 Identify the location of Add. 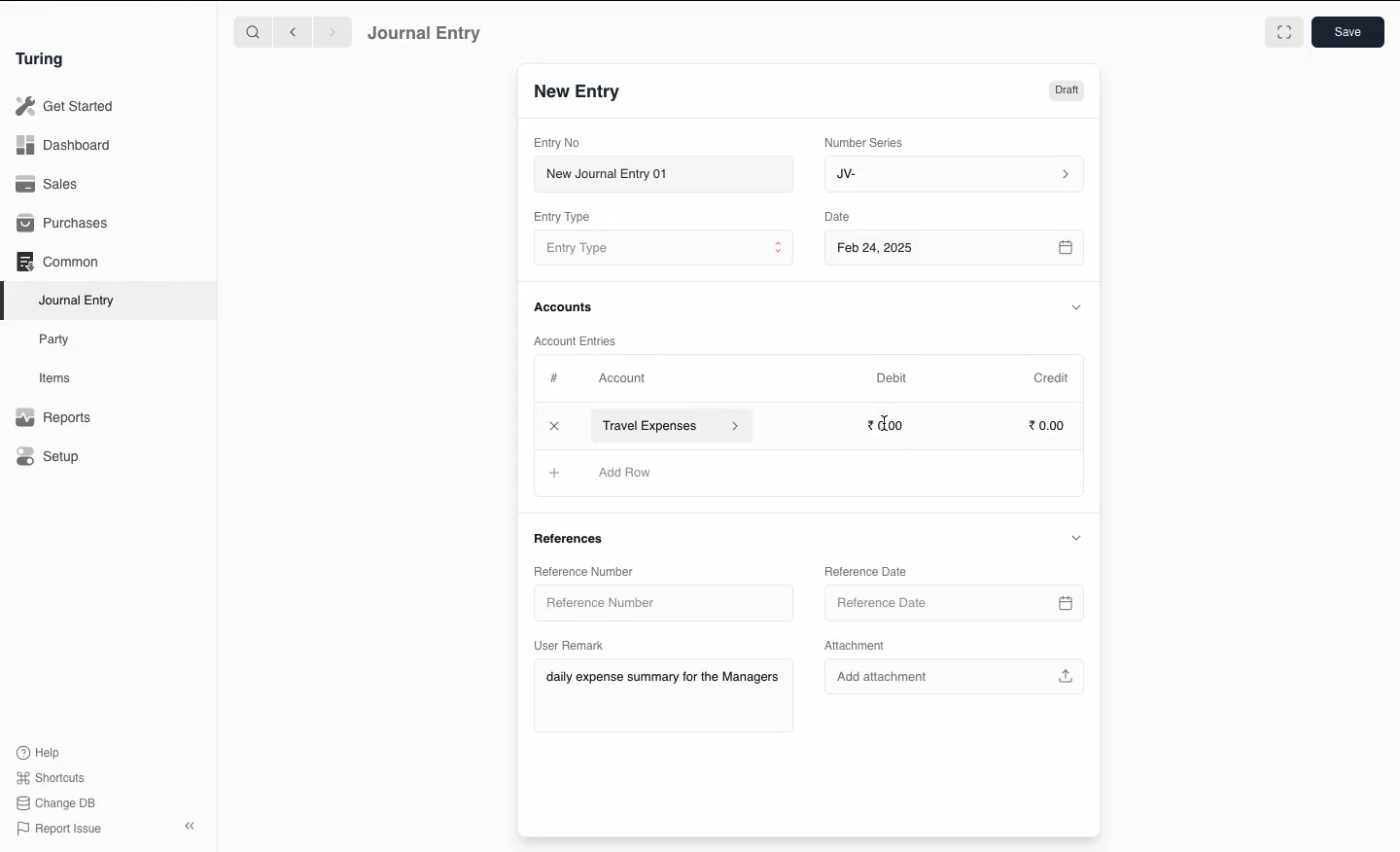
(553, 470).